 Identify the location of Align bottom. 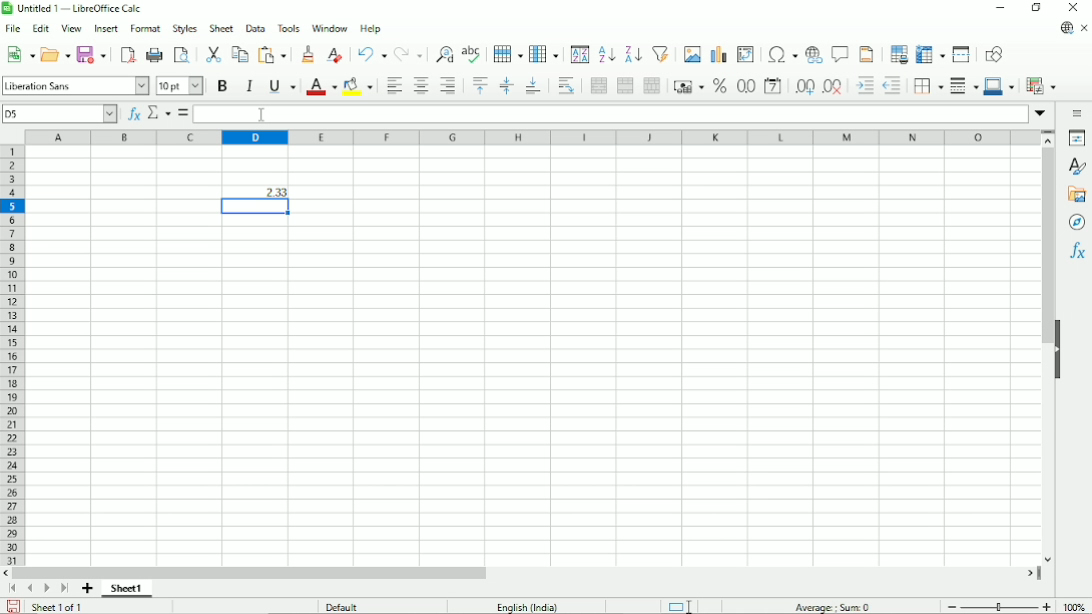
(534, 86).